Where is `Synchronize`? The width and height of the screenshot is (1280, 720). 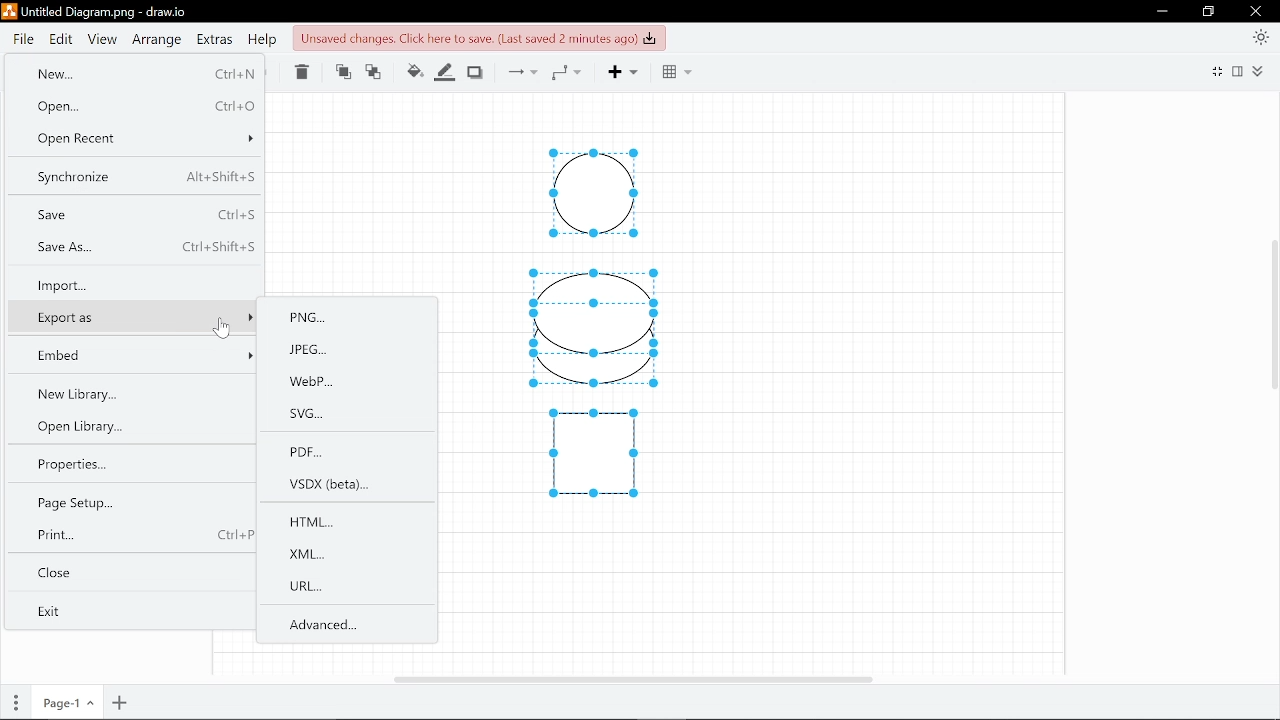 Synchronize is located at coordinates (139, 174).